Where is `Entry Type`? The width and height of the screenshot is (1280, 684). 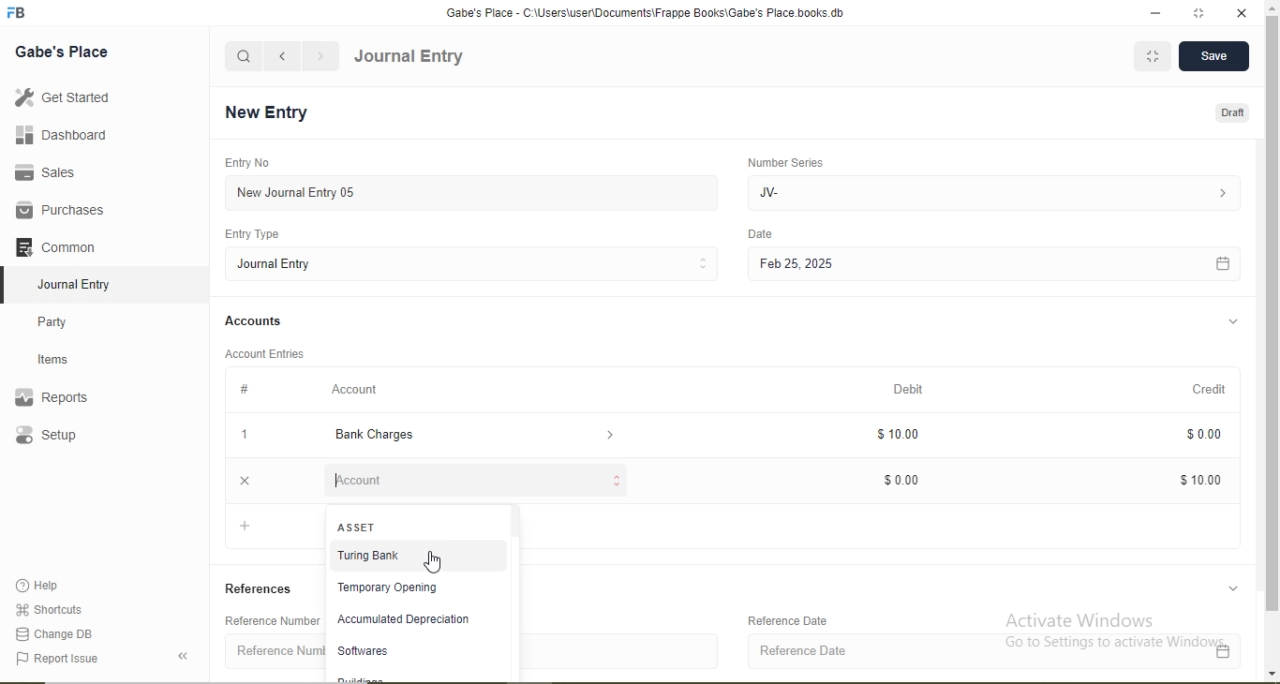
Entry Type is located at coordinates (254, 234).